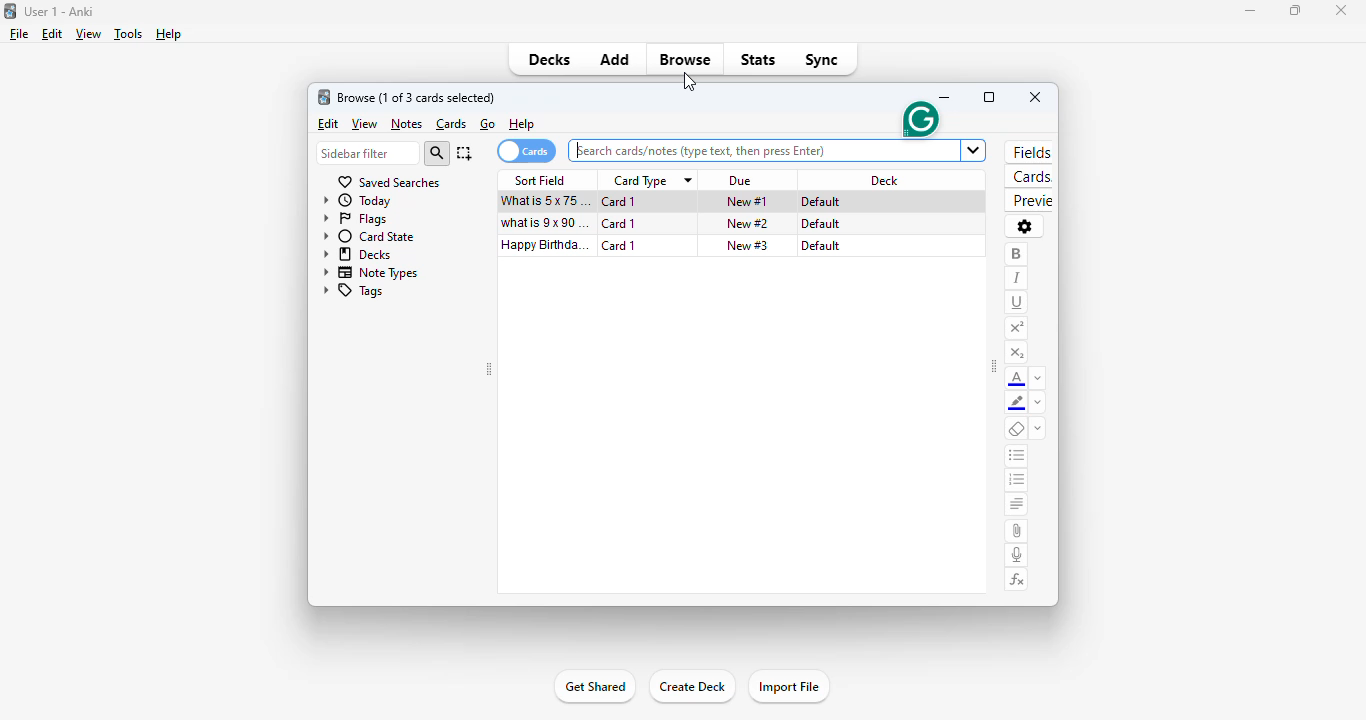 The width and height of the screenshot is (1366, 720). Describe the element at coordinates (822, 223) in the screenshot. I see `default` at that location.